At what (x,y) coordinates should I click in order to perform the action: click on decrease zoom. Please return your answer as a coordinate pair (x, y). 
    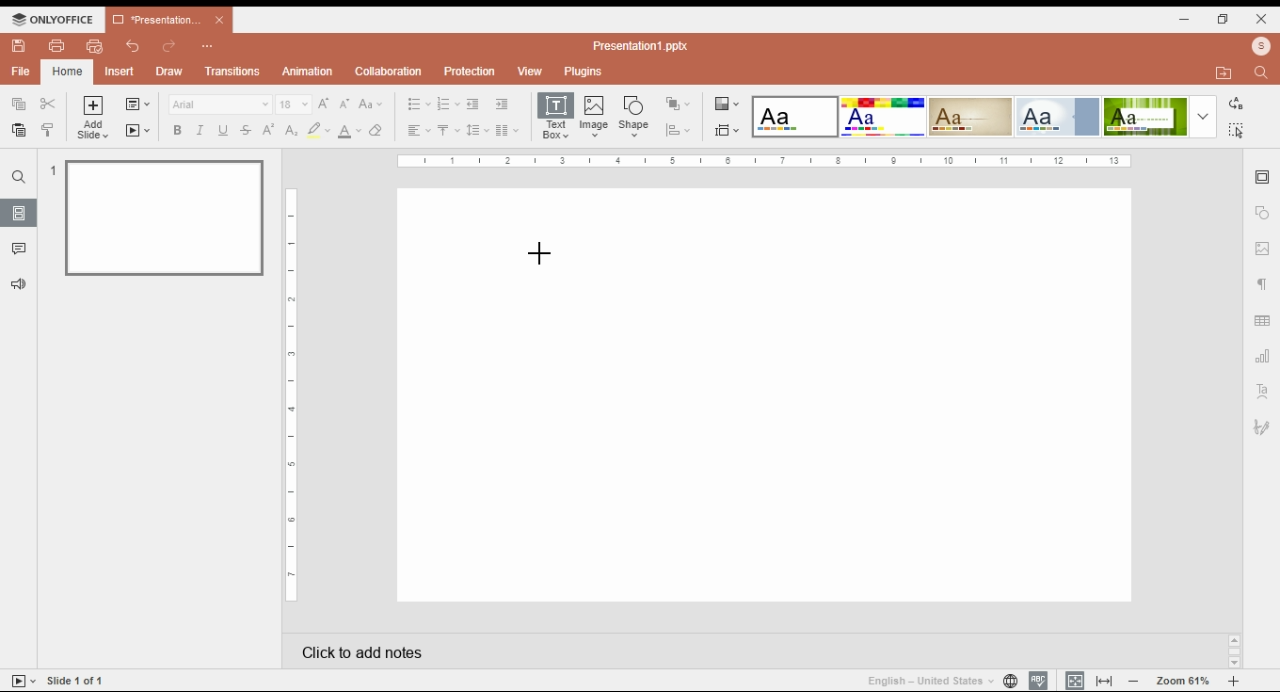
    Looking at the image, I should click on (1134, 680).